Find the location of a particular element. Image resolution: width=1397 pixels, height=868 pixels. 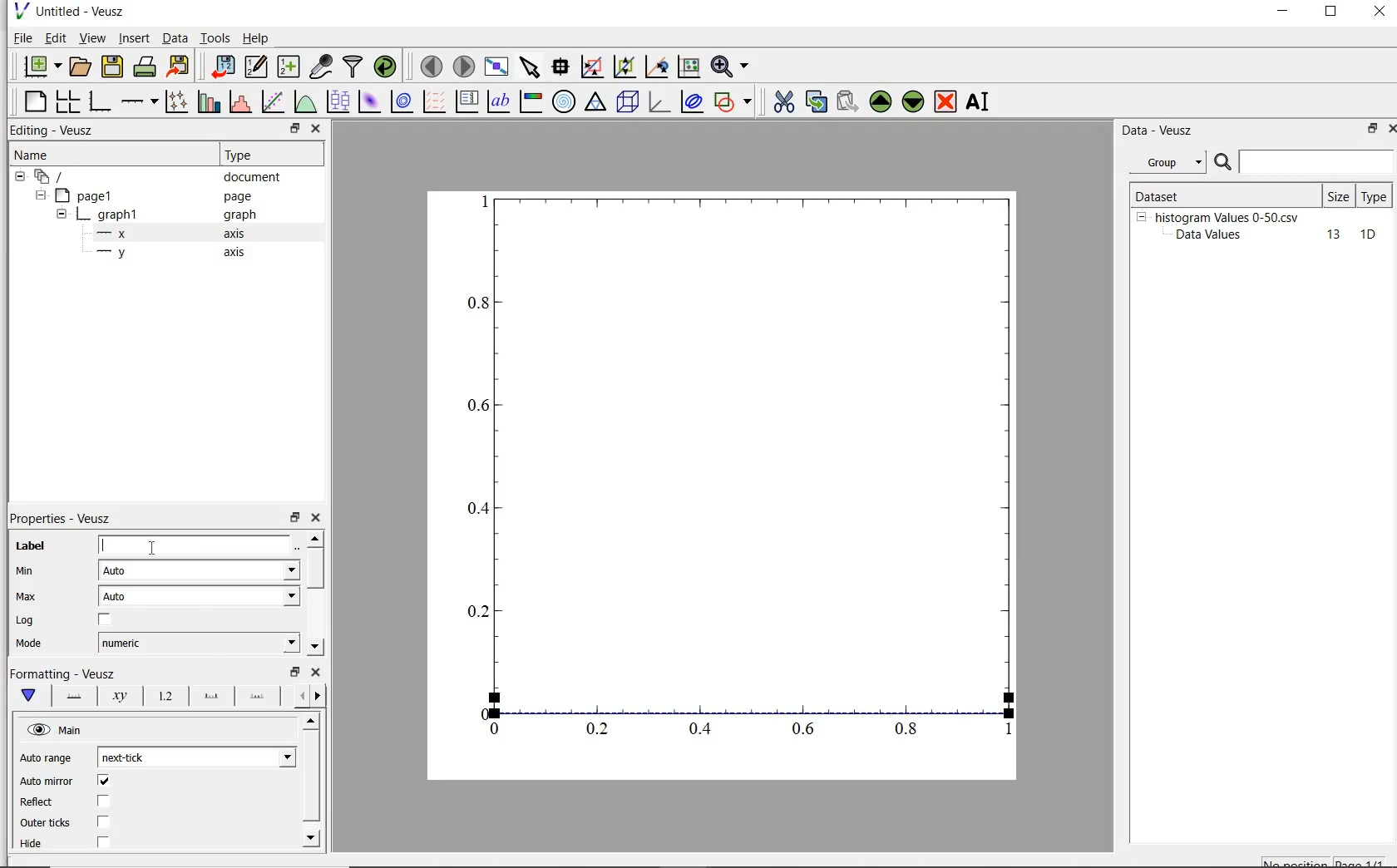

edit is located at coordinates (56, 37).